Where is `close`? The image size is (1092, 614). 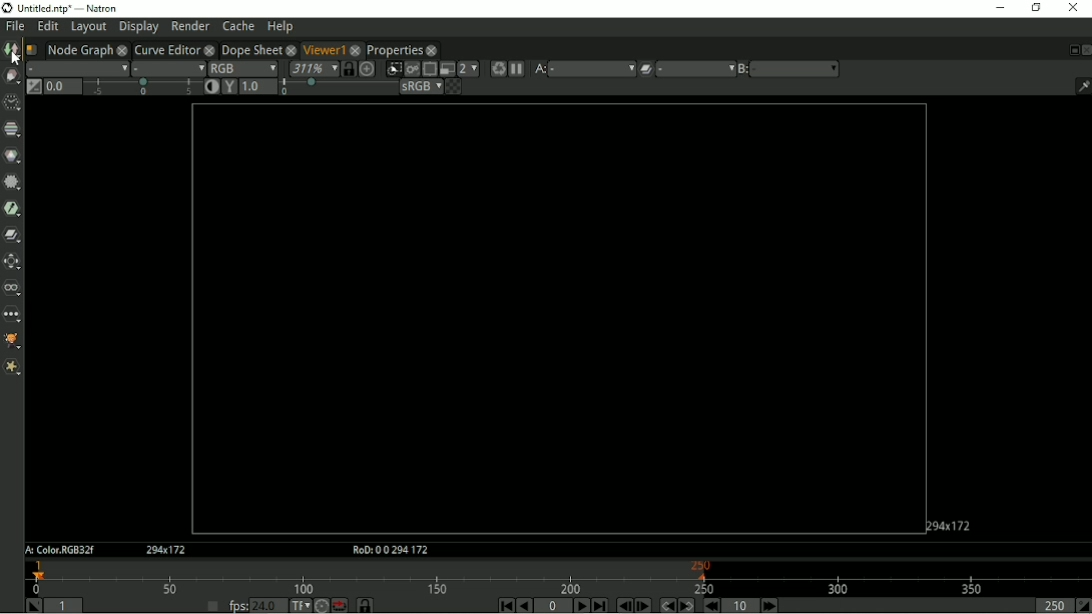 close is located at coordinates (209, 49).